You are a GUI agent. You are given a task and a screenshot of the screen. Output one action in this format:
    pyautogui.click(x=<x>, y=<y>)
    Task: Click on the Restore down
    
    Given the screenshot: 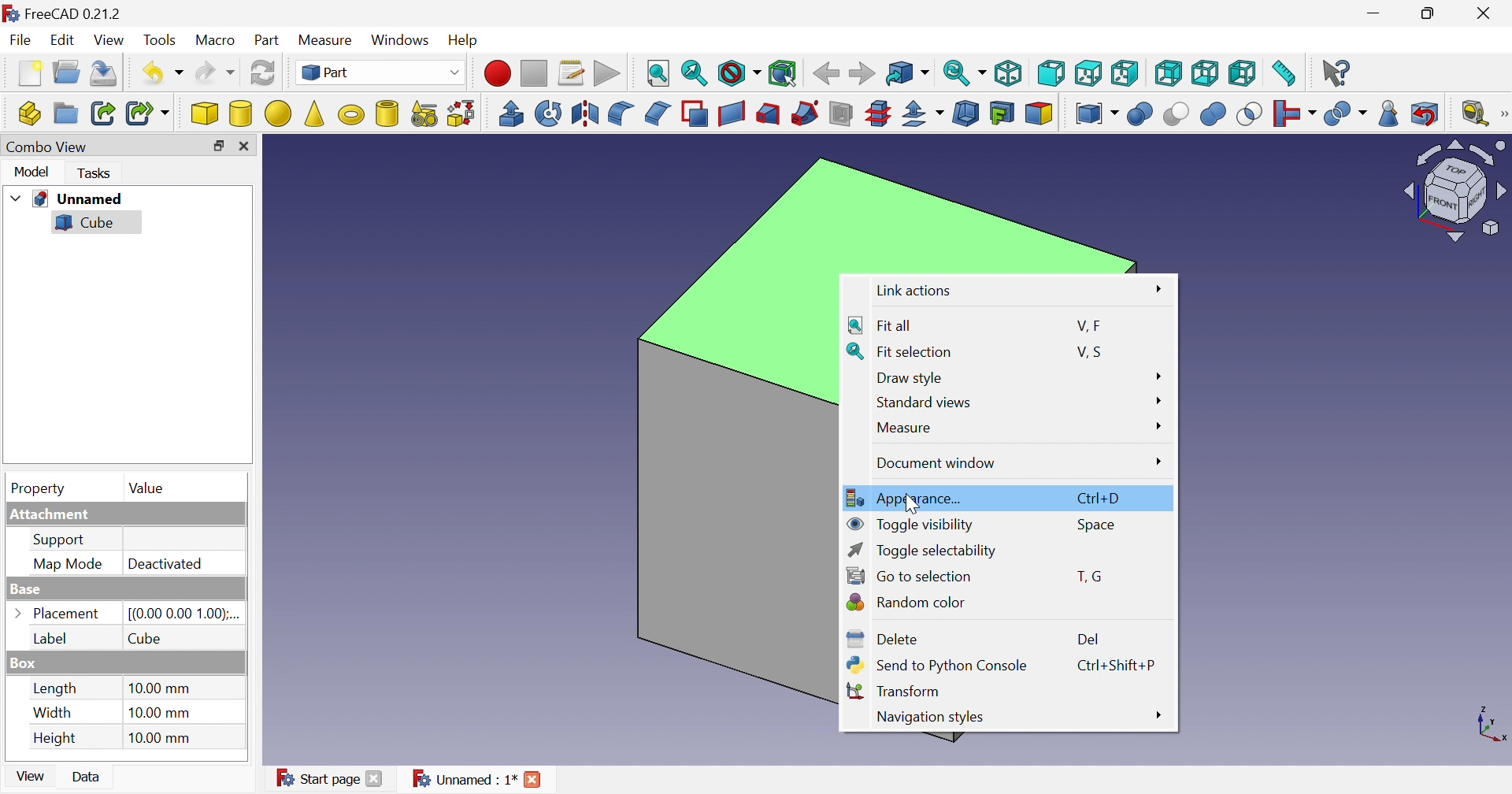 What is the action you would take?
    pyautogui.click(x=1431, y=14)
    